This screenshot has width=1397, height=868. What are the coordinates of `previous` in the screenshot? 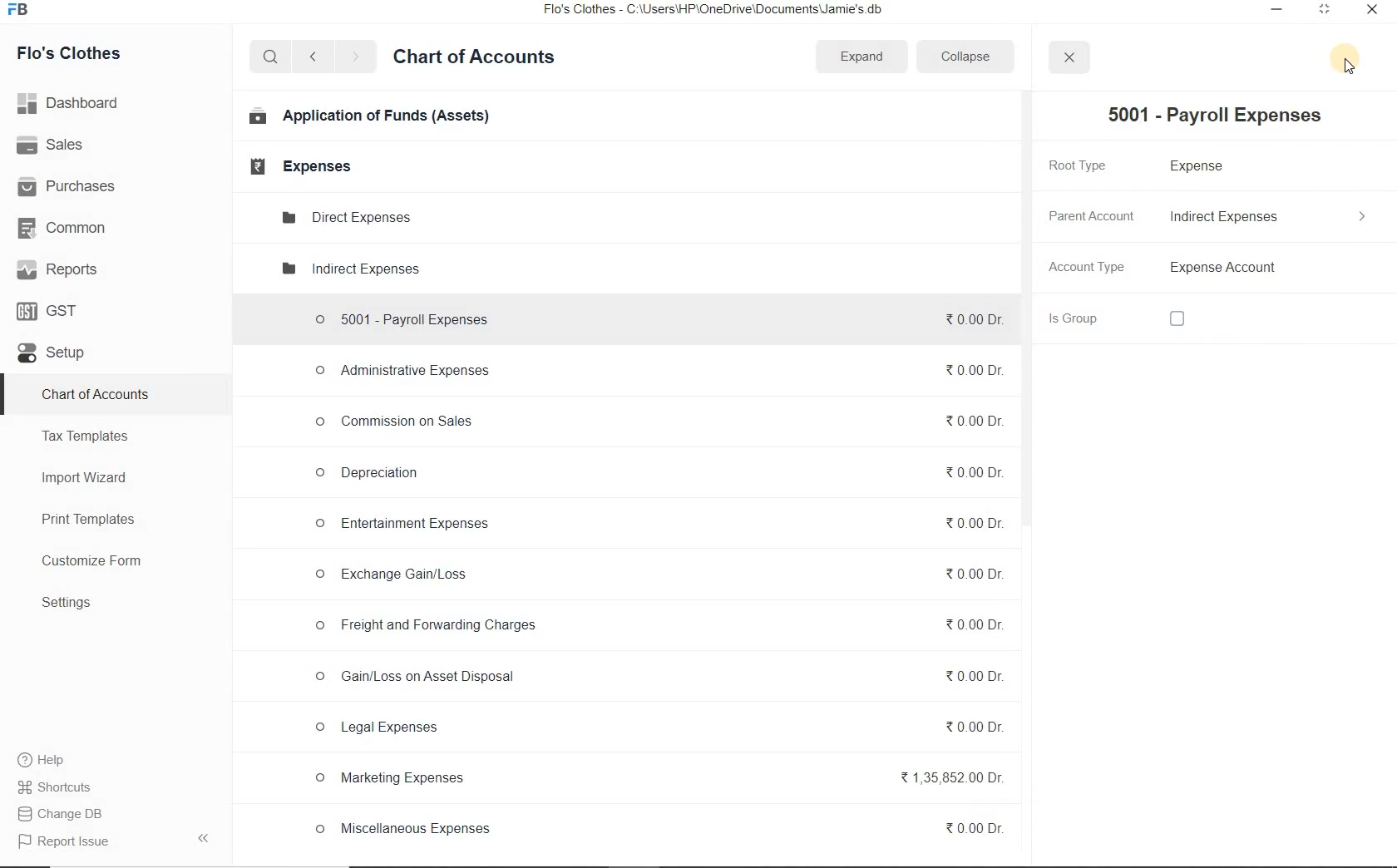 It's located at (312, 57).